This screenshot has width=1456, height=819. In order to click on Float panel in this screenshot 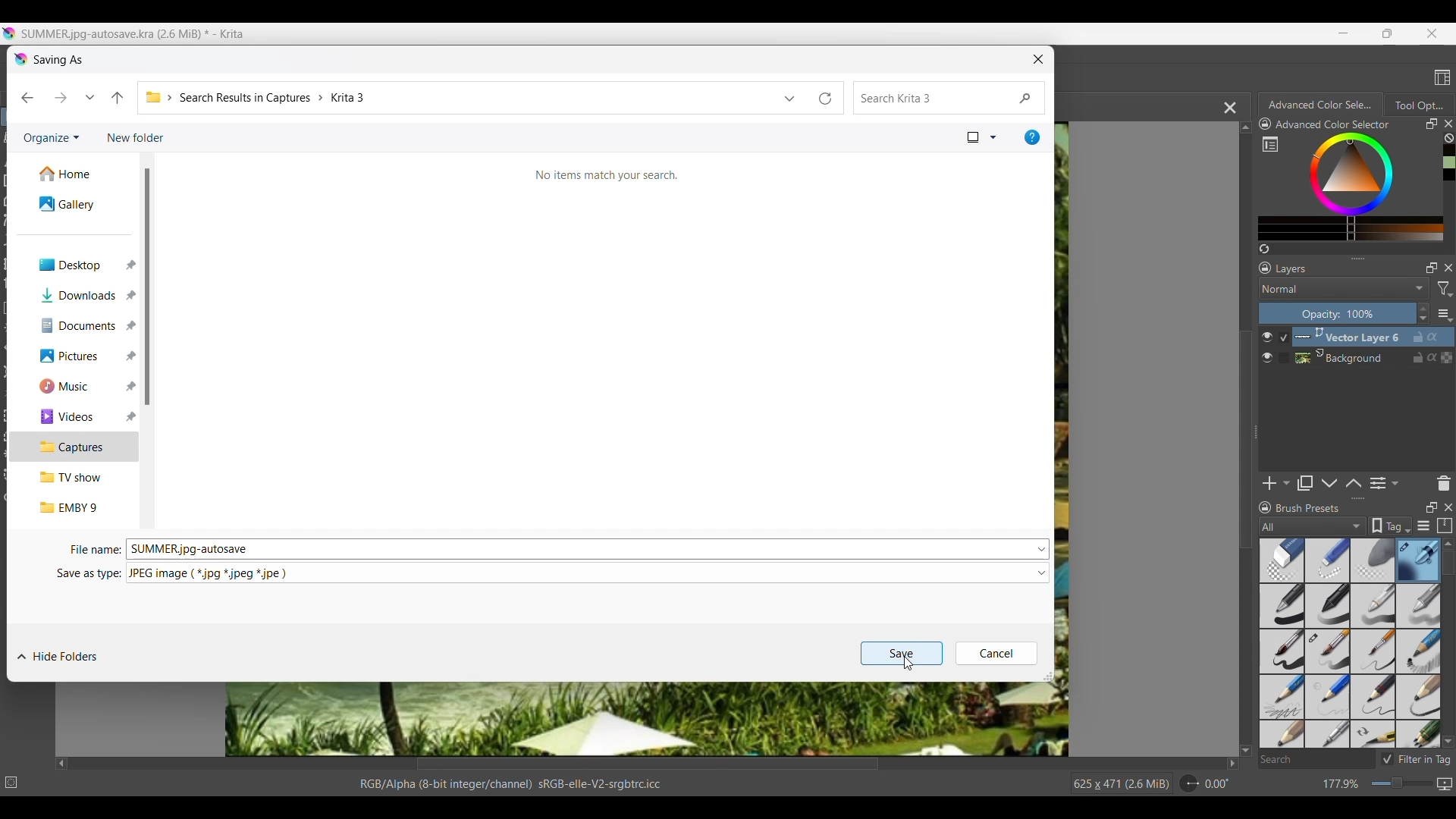, I will do `click(1431, 507)`.